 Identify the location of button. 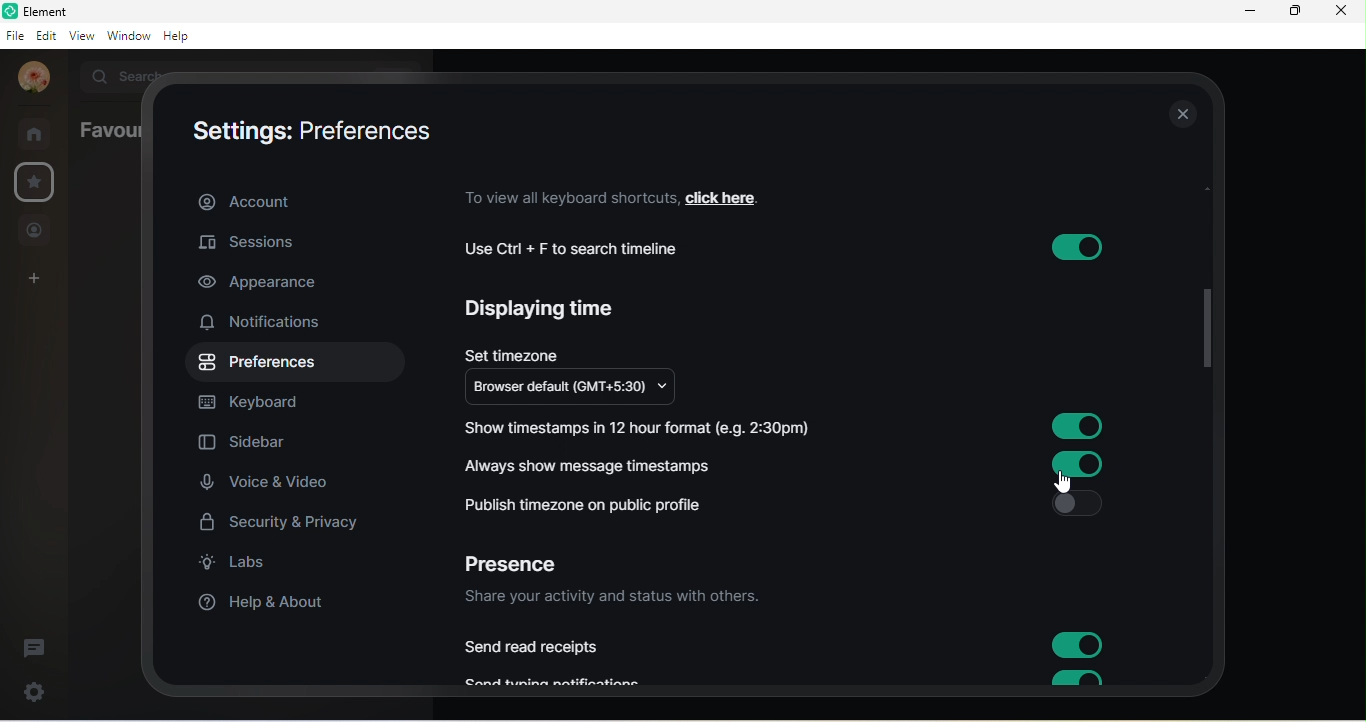
(1078, 503).